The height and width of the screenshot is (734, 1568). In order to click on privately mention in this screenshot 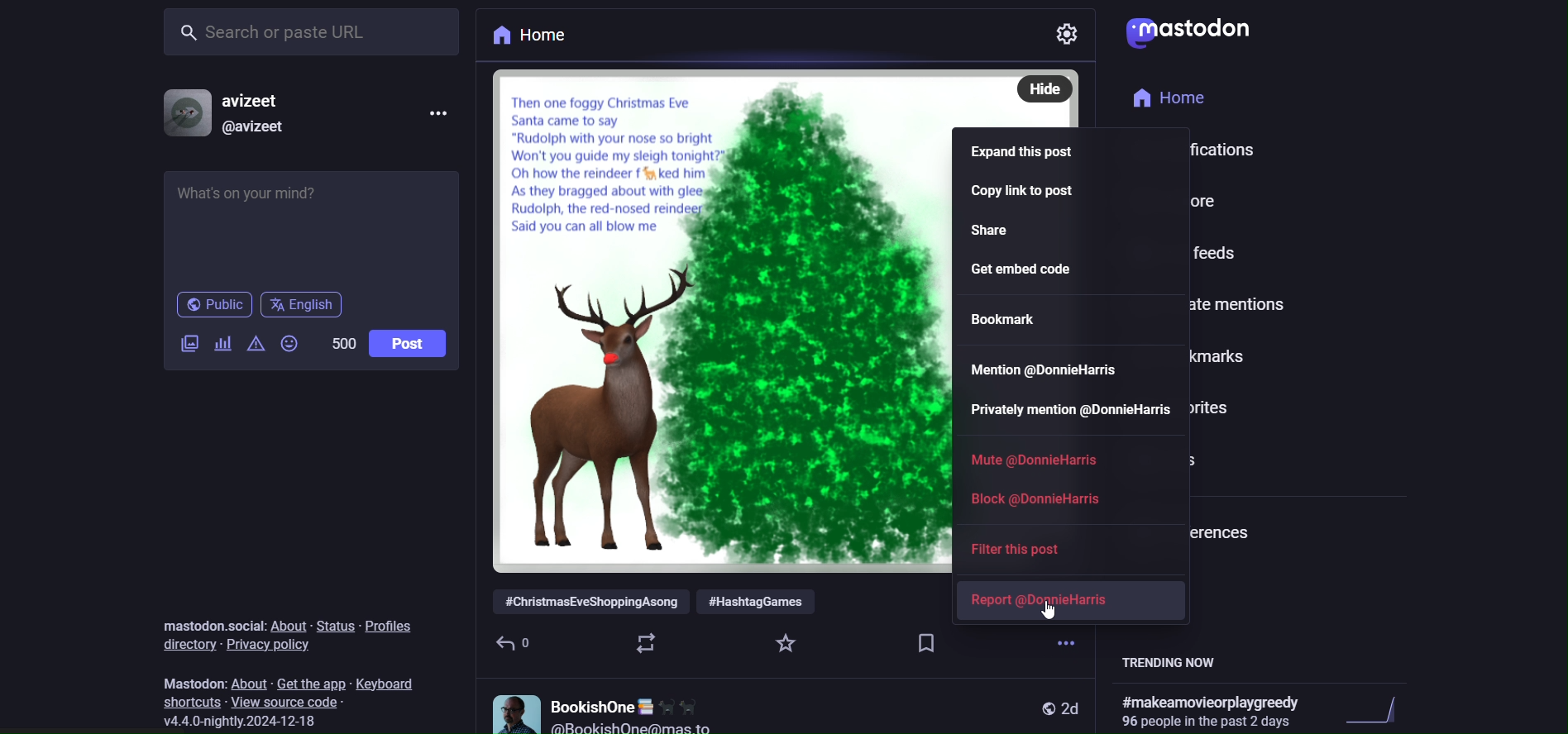, I will do `click(1066, 411)`.